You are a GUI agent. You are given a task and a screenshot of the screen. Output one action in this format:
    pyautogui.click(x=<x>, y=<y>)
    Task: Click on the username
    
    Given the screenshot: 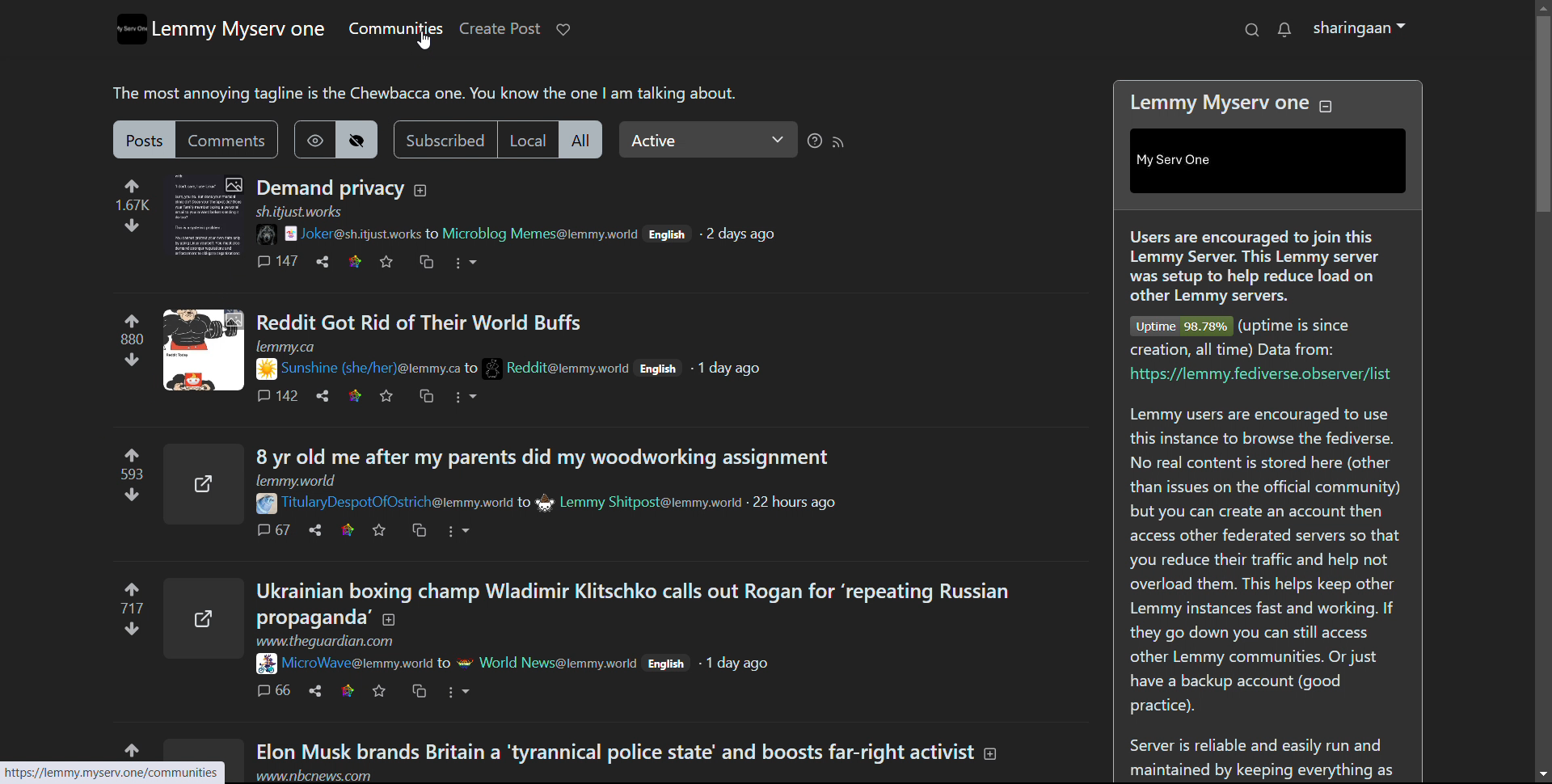 What is the action you would take?
    pyautogui.click(x=569, y=366)
    